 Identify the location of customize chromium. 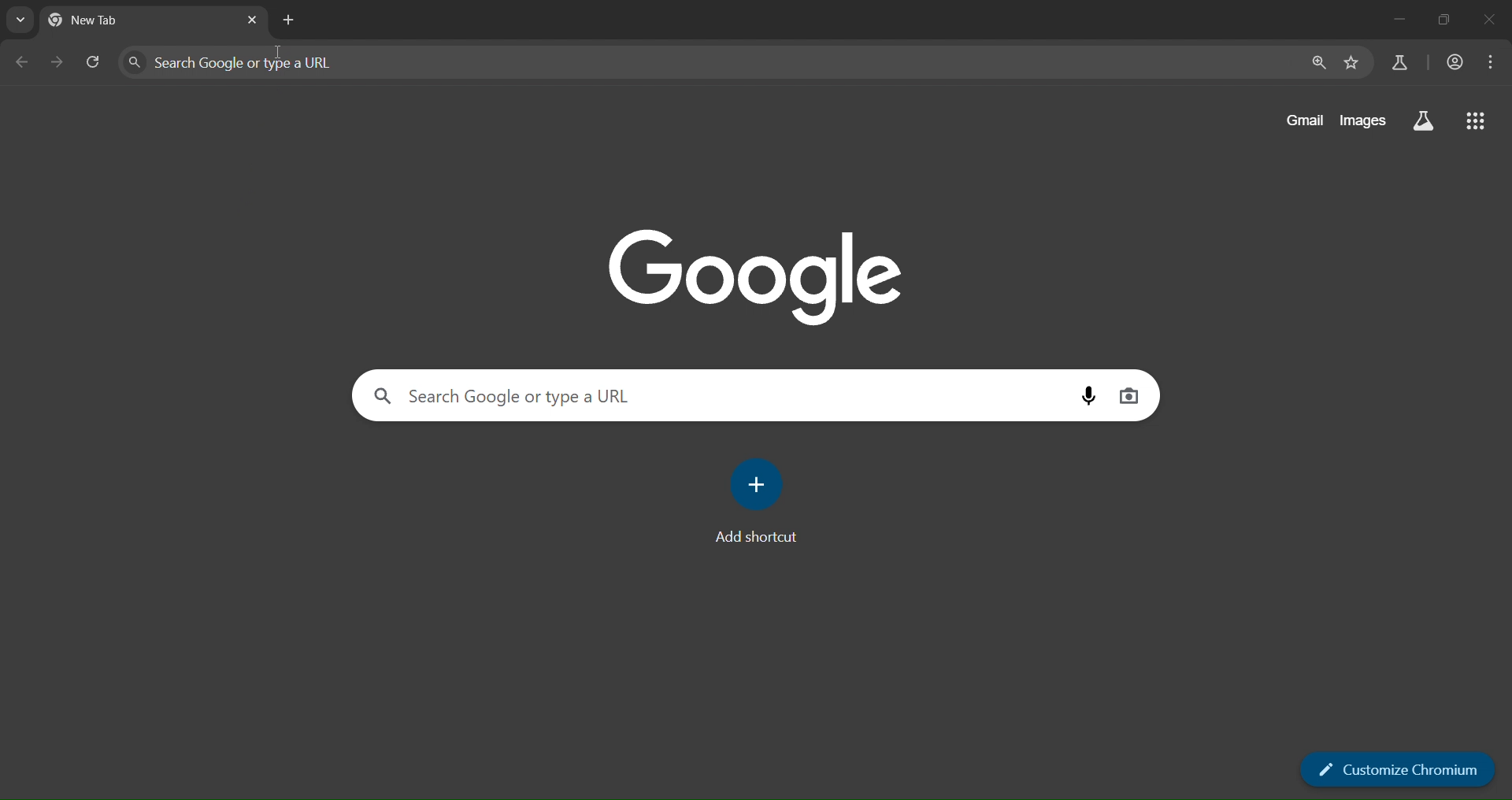
(1401, 770).